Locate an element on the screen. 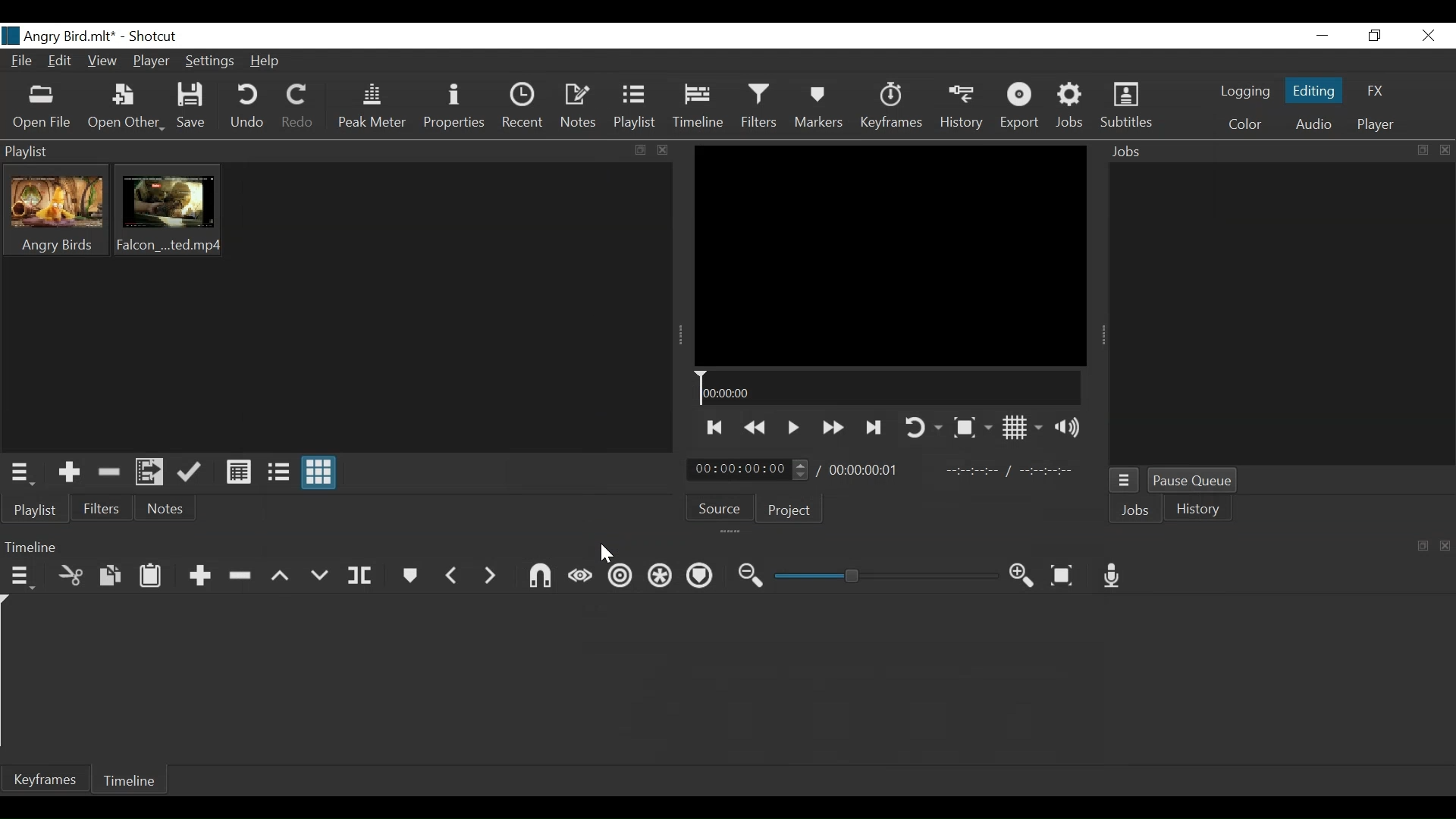  Help is located at coordinates (266, 63).